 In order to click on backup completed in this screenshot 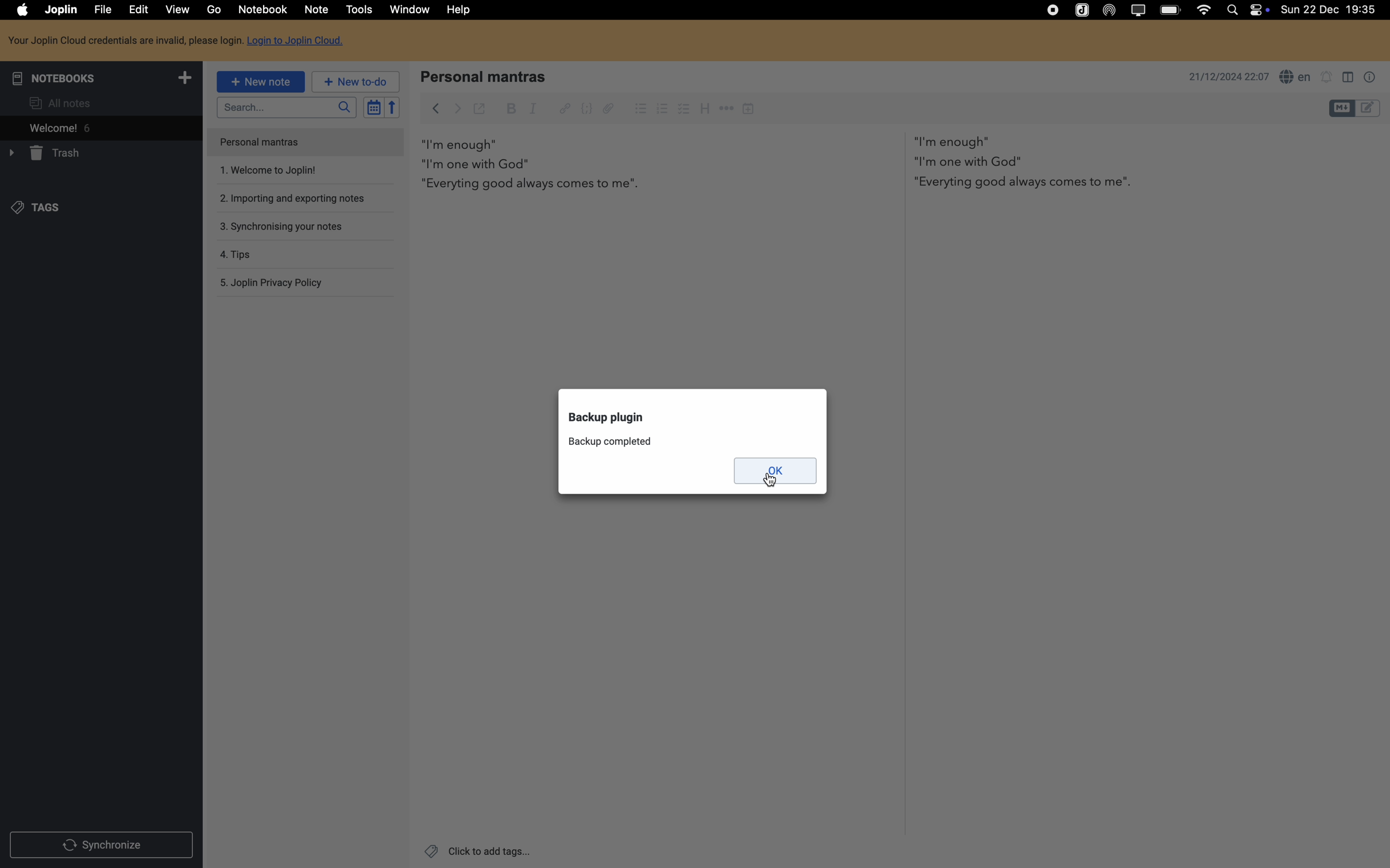, I will do `click(612, 441)`.